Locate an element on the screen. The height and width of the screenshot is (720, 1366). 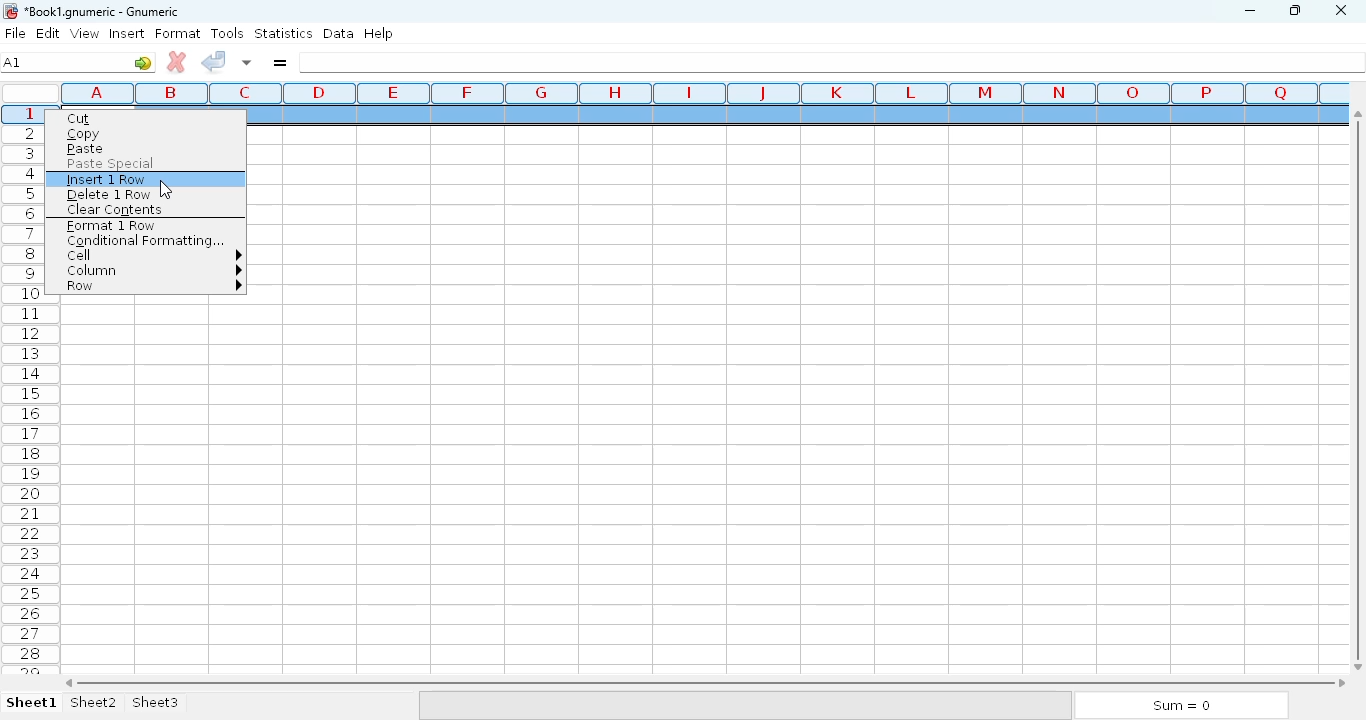
cell is located at coordinates (153, 256).